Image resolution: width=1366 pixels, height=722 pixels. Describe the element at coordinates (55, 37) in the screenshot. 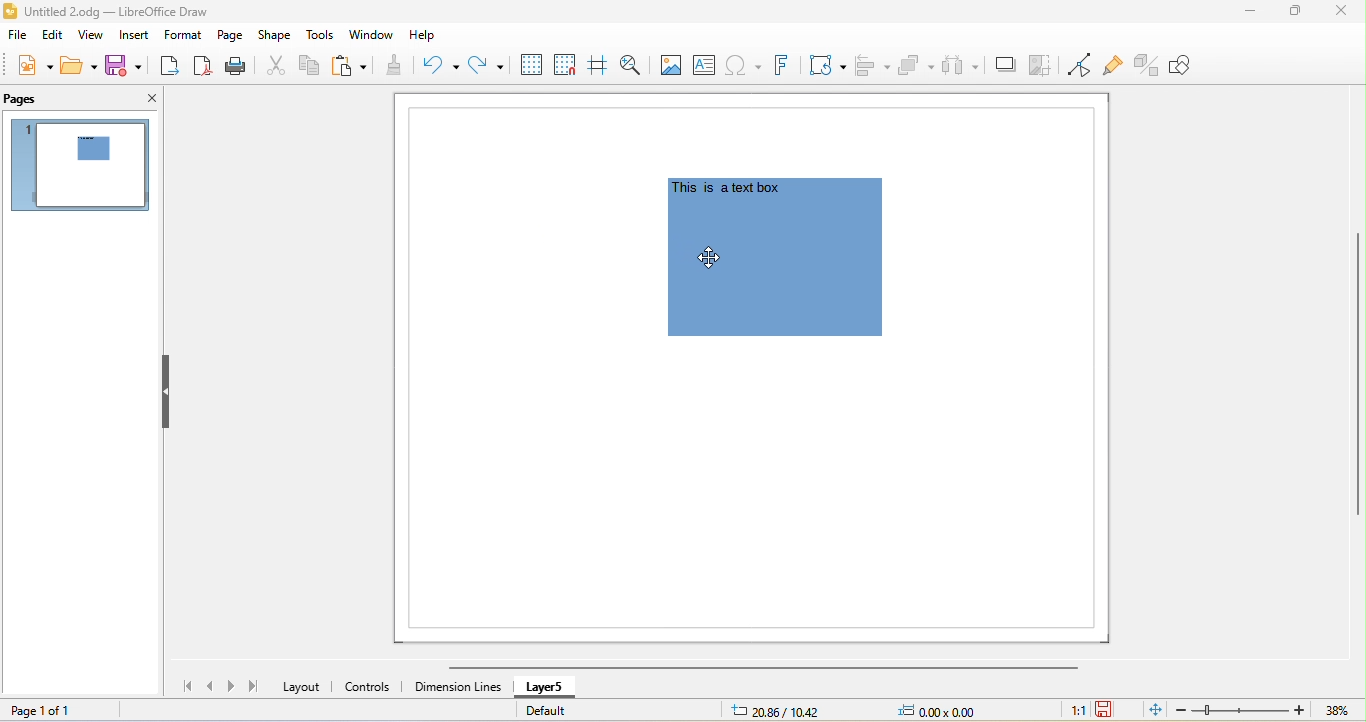

I see `edit` at that location.